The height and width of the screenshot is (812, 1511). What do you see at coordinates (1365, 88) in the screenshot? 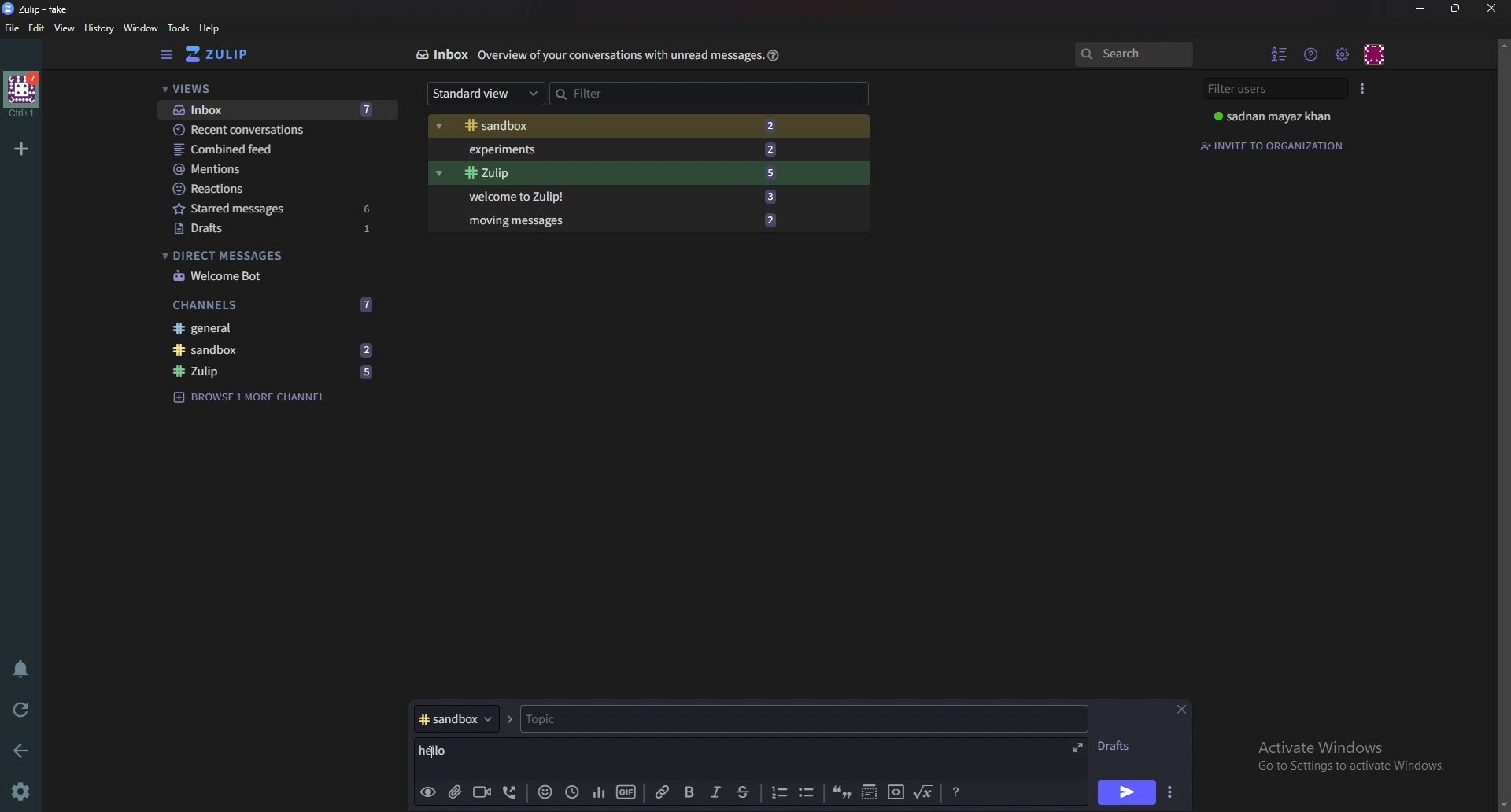
I see `User list style` at bounding box center [1365, 88].